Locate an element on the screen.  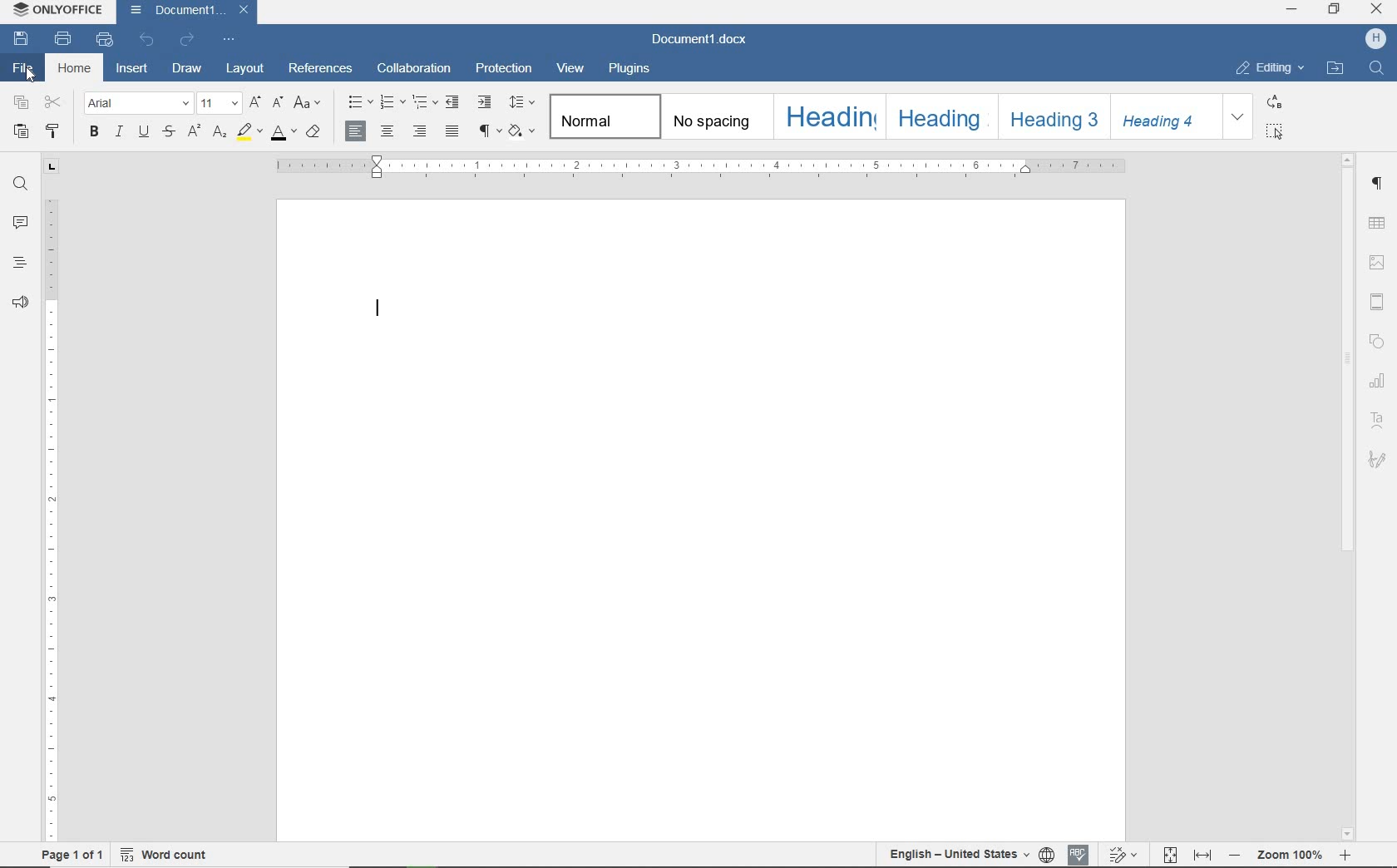
hp is located at coordinates (1375, 39).